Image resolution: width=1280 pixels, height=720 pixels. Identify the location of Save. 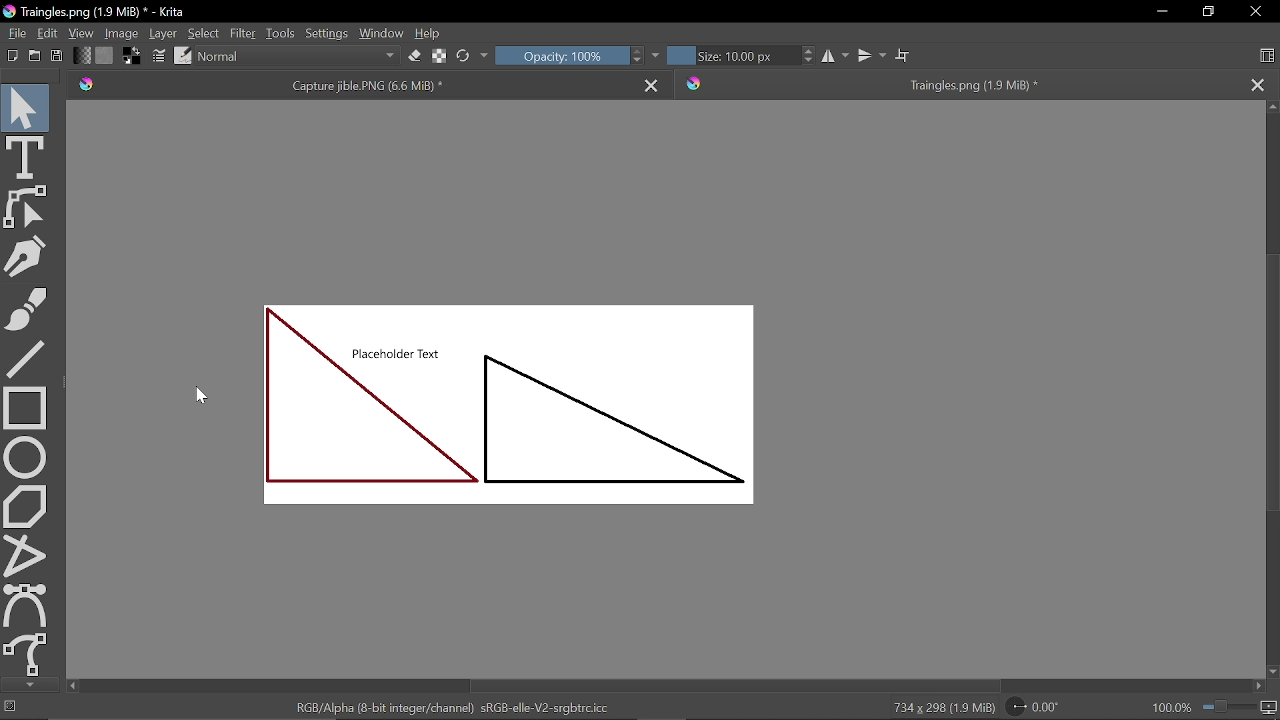
(57, 57).